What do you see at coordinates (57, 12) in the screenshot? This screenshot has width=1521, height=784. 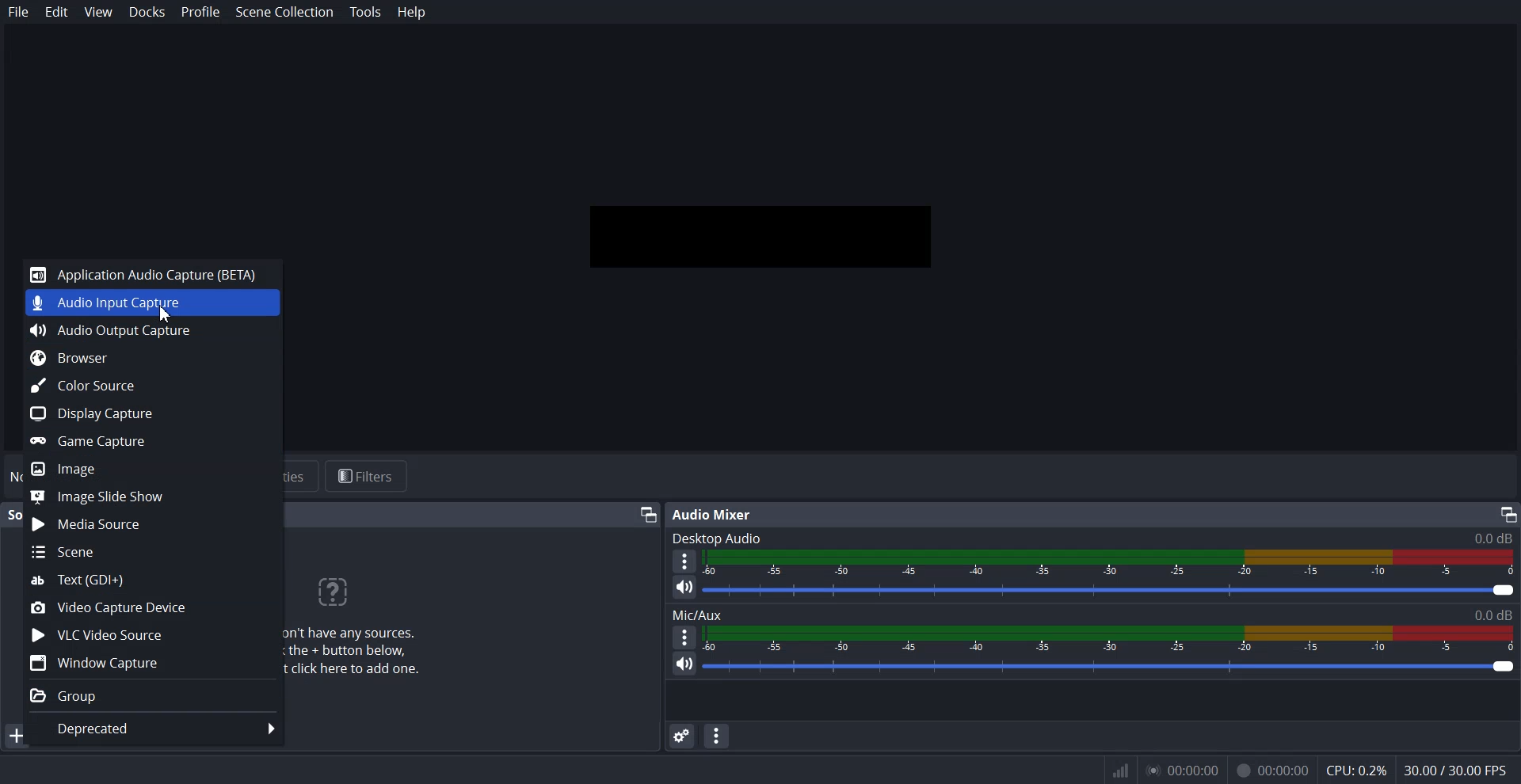 I see `Edit` at bounding box center [57, 12].